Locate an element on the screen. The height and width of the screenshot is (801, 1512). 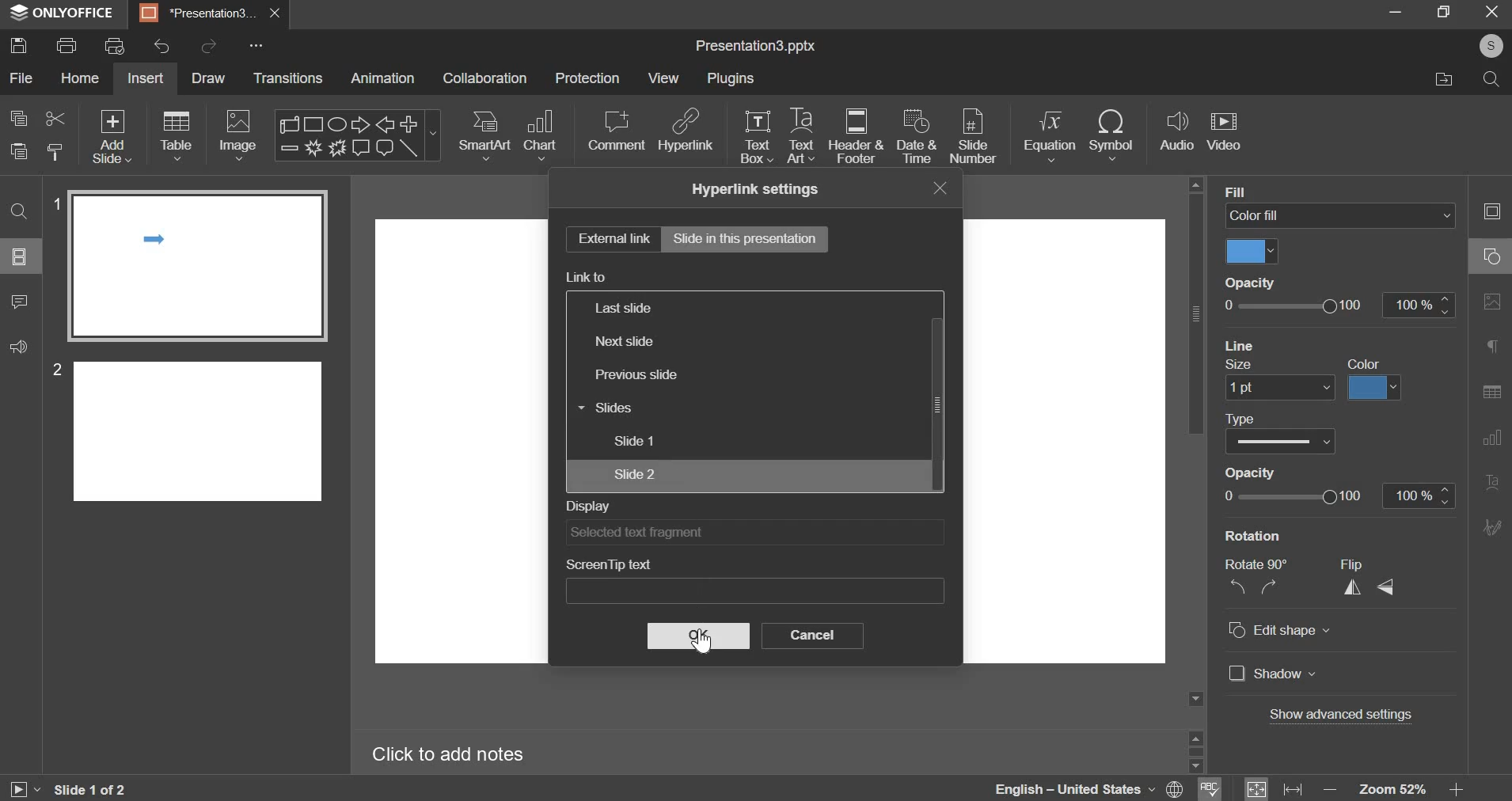
rotation is located at coordinates (1253, 536).